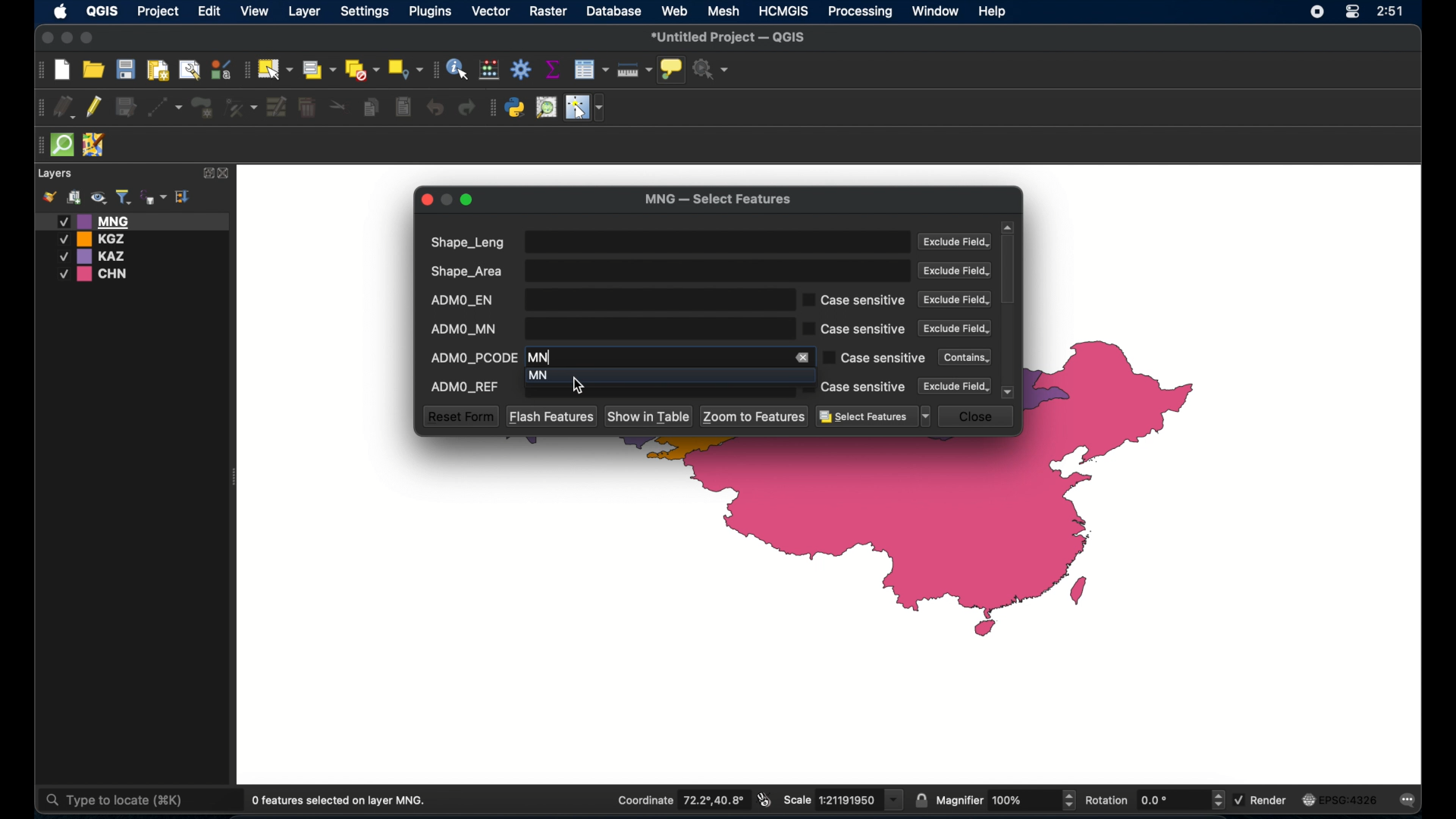 This screenshot has width=1456, height=819. What do you see at coordinates (673, 71) in the screenshot?
I see `show map tips` at bounding box center [673, 71].